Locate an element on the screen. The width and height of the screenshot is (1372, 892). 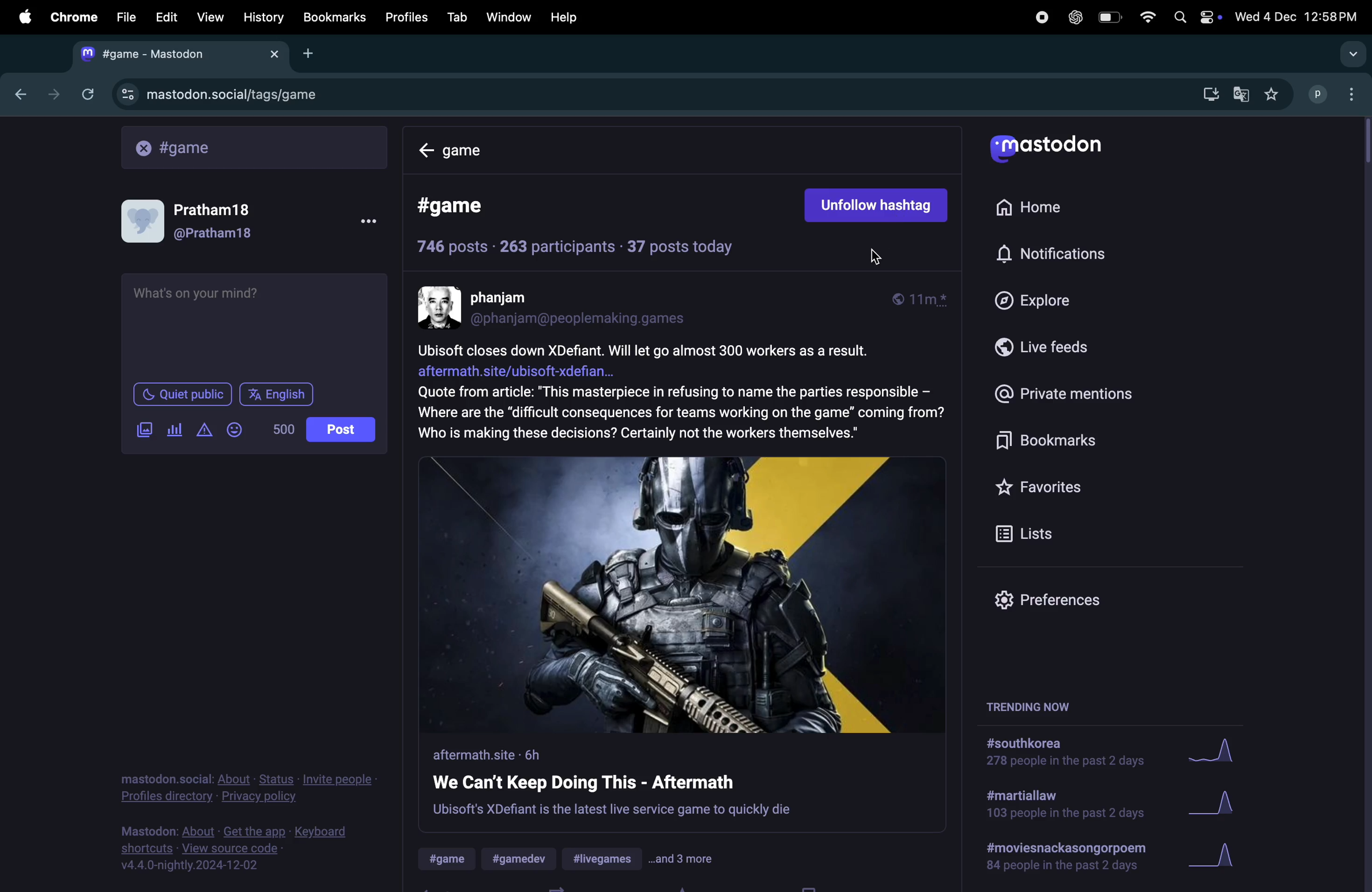
live service  is located at coordinates (613, 811).